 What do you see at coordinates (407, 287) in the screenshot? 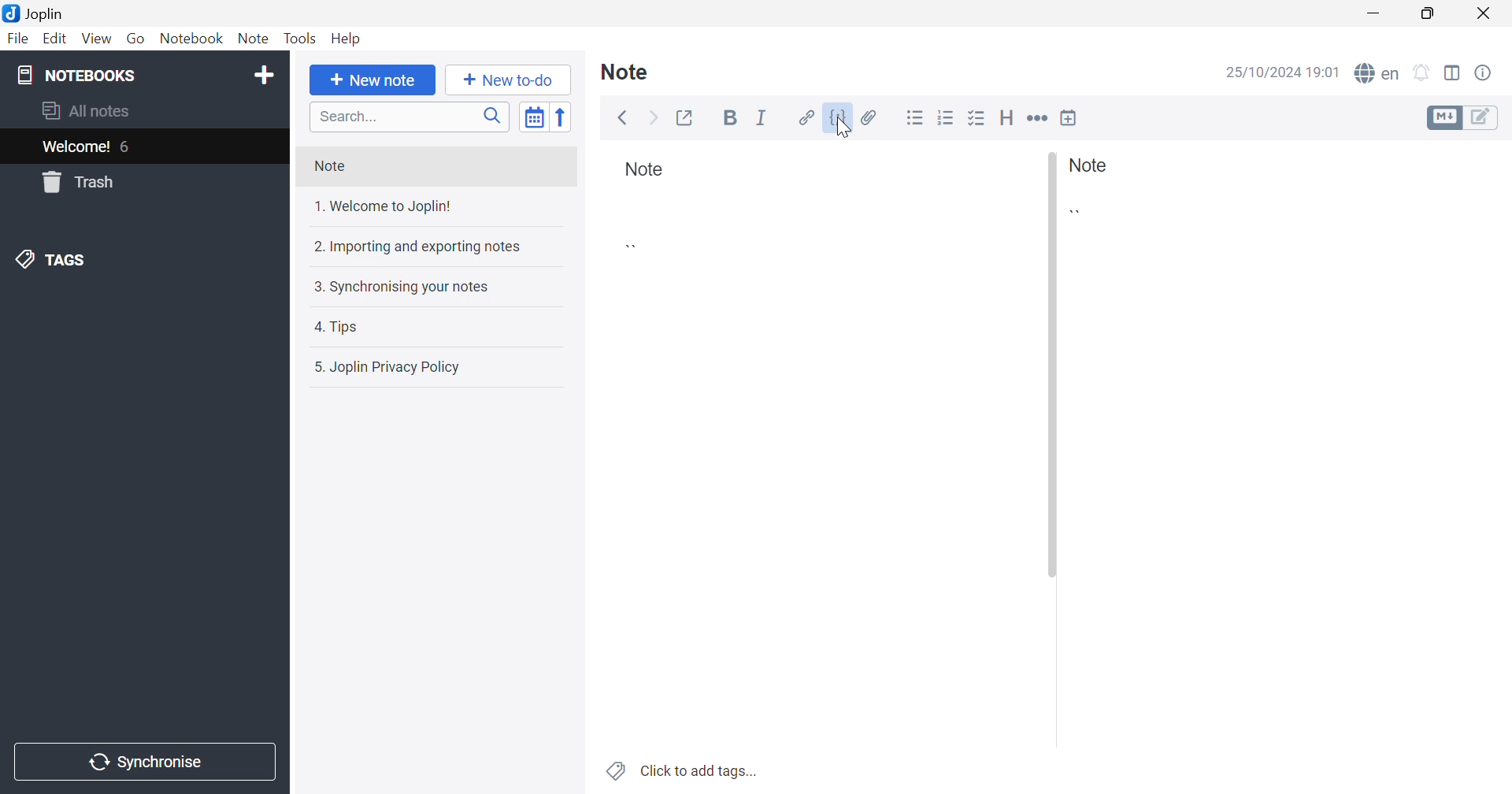
I see `3. Synchronising your notes` at bounding box center [407, 287].